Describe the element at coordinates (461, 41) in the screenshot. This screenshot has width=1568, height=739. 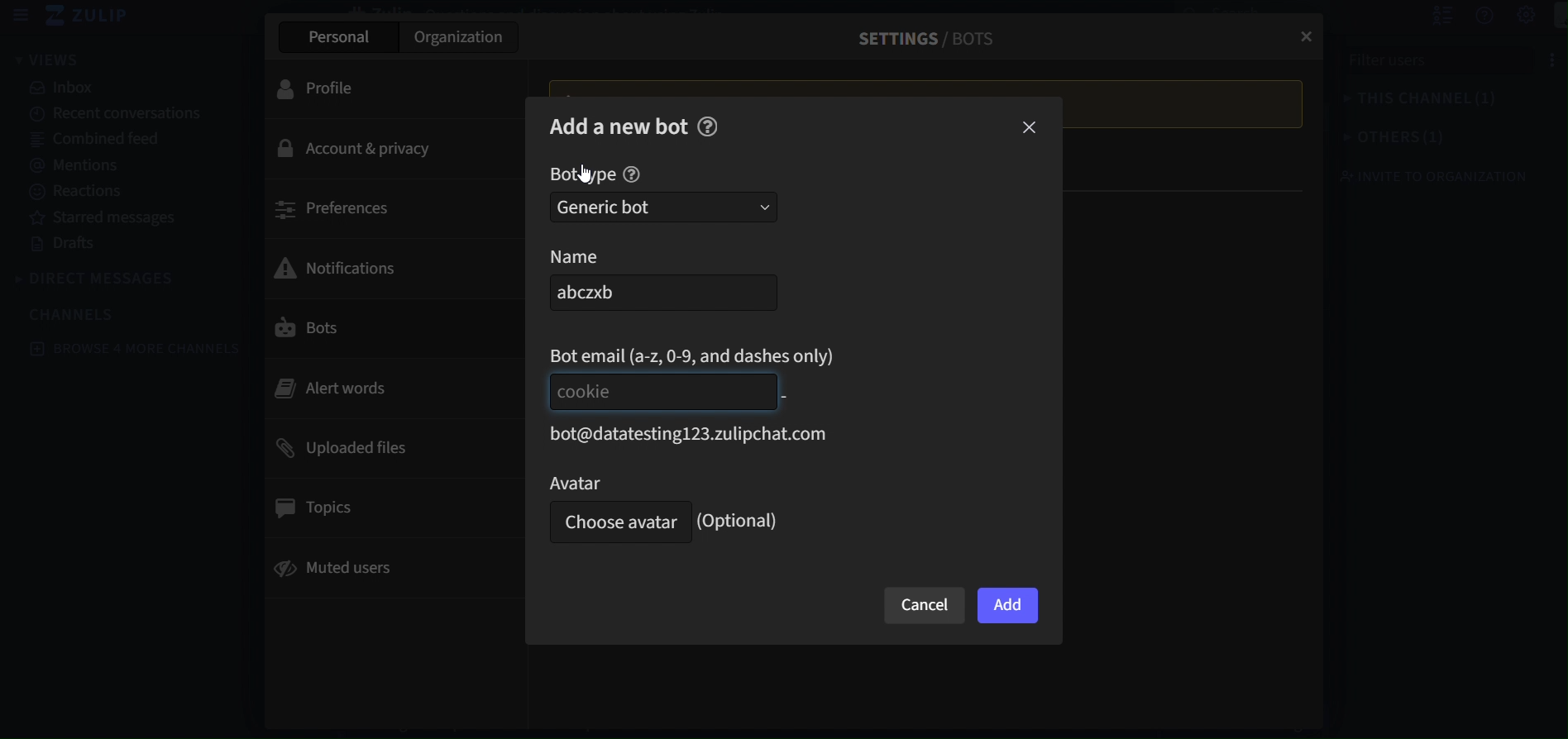
I see `organization` at that location.